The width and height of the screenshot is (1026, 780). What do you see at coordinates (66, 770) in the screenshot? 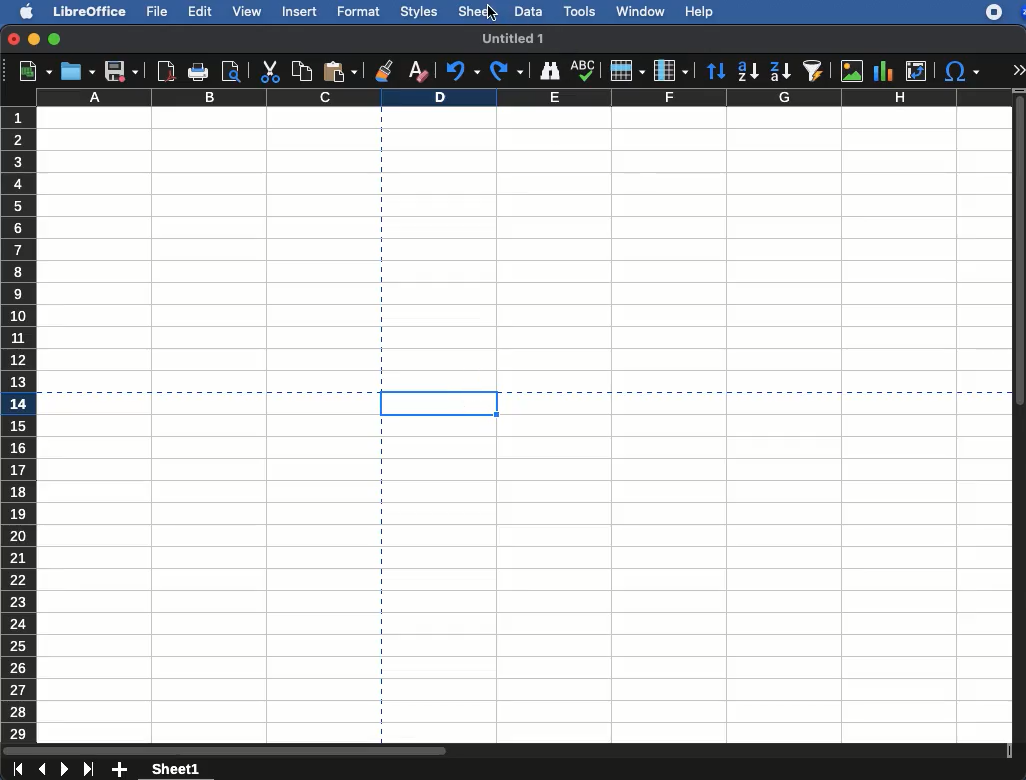
I see `next sheet` at bounding box center [66, 770].